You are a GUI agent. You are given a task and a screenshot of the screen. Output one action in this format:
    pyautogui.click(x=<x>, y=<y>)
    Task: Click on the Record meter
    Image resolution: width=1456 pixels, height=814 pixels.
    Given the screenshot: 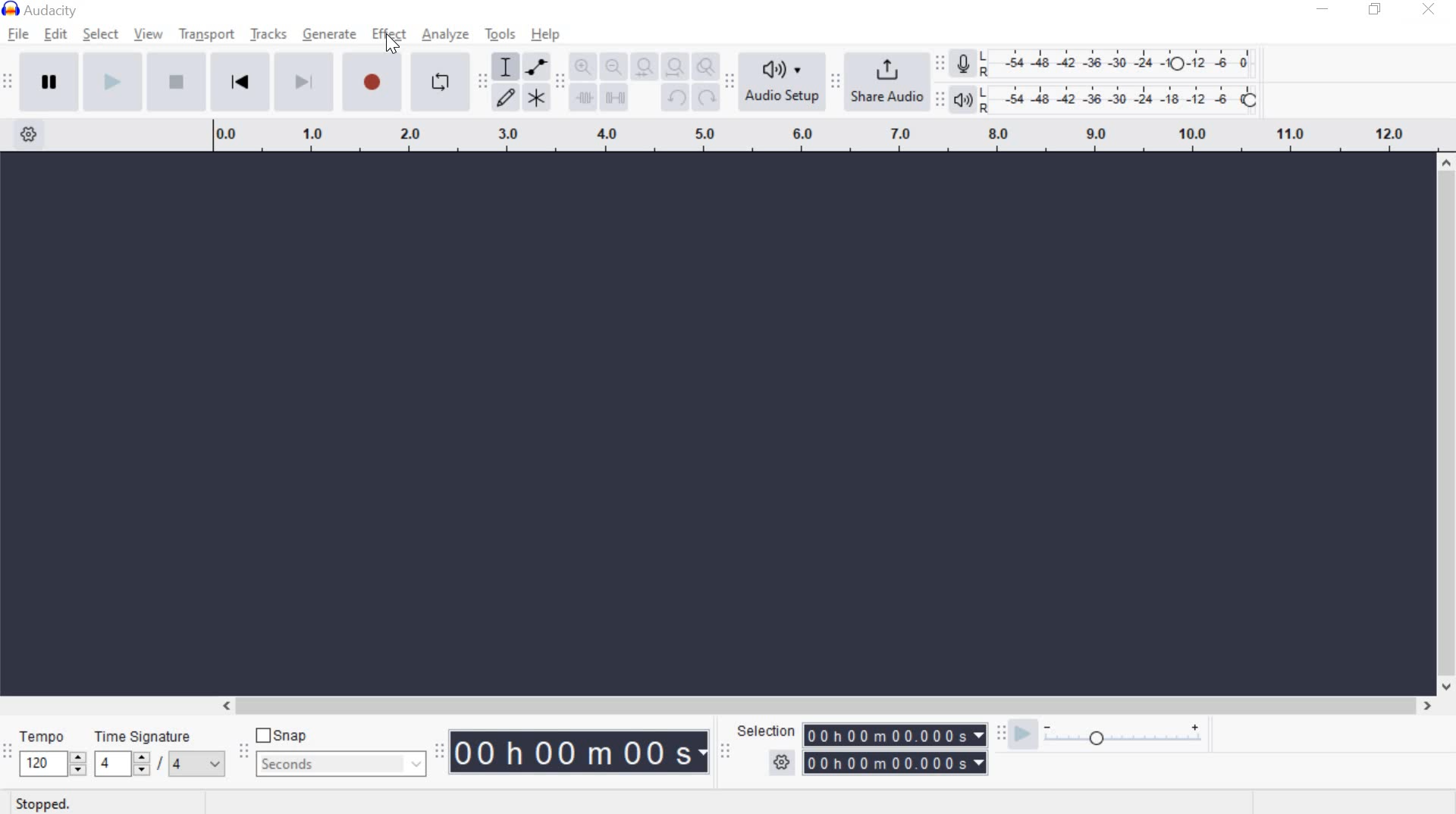 What is the action you would take?
    pyautogui.click(x=965, y=64)
    